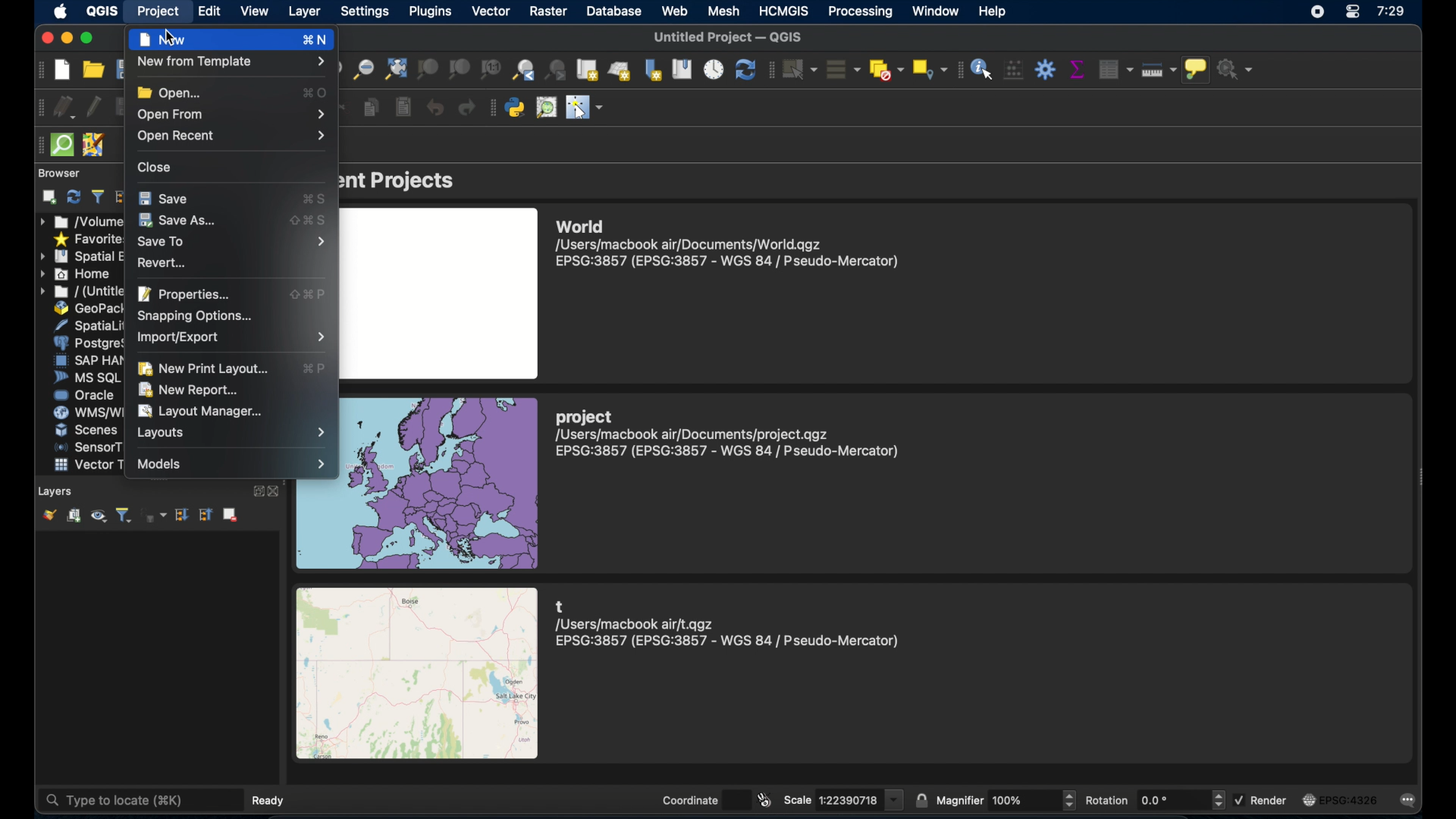 The image size is (1456, 819). Describe the element at coordinates (58, 173) in the screenshot. I see `browser` at that location.